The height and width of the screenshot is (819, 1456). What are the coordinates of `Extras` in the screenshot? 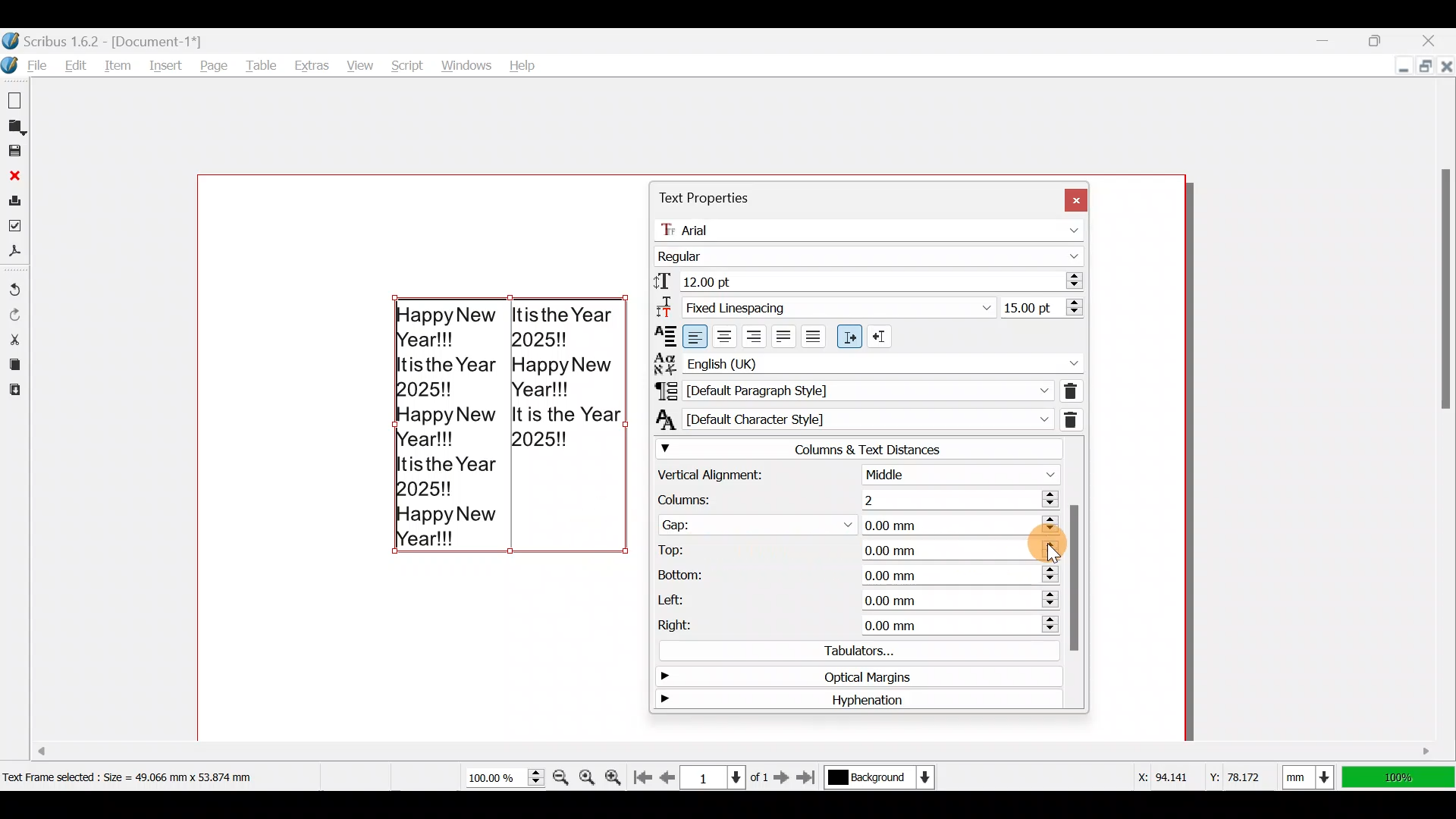 It's located at (312, 65).